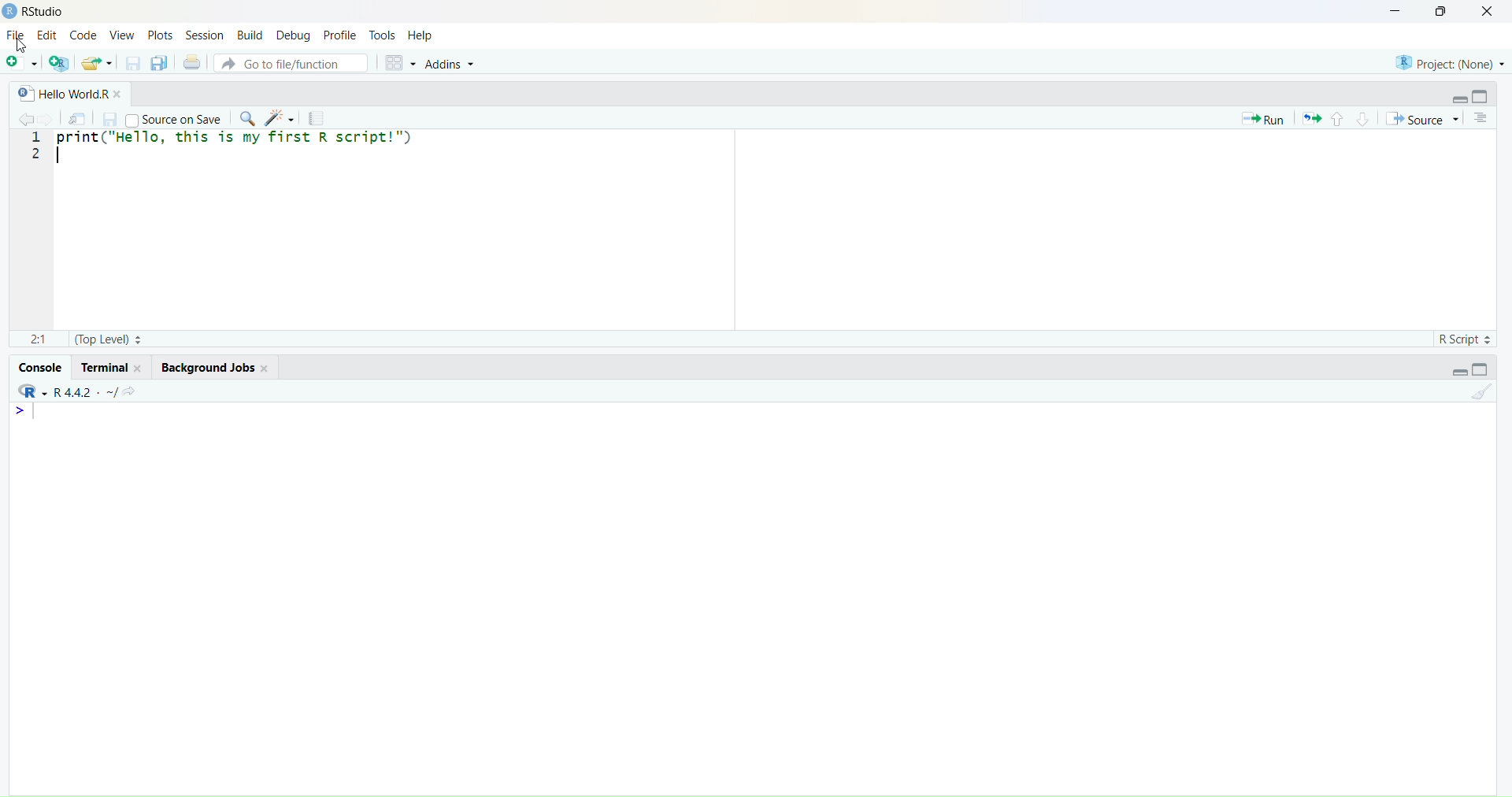 This screenshot has width=1512, height=797. I want to click on Cursor, so click(27, 46).